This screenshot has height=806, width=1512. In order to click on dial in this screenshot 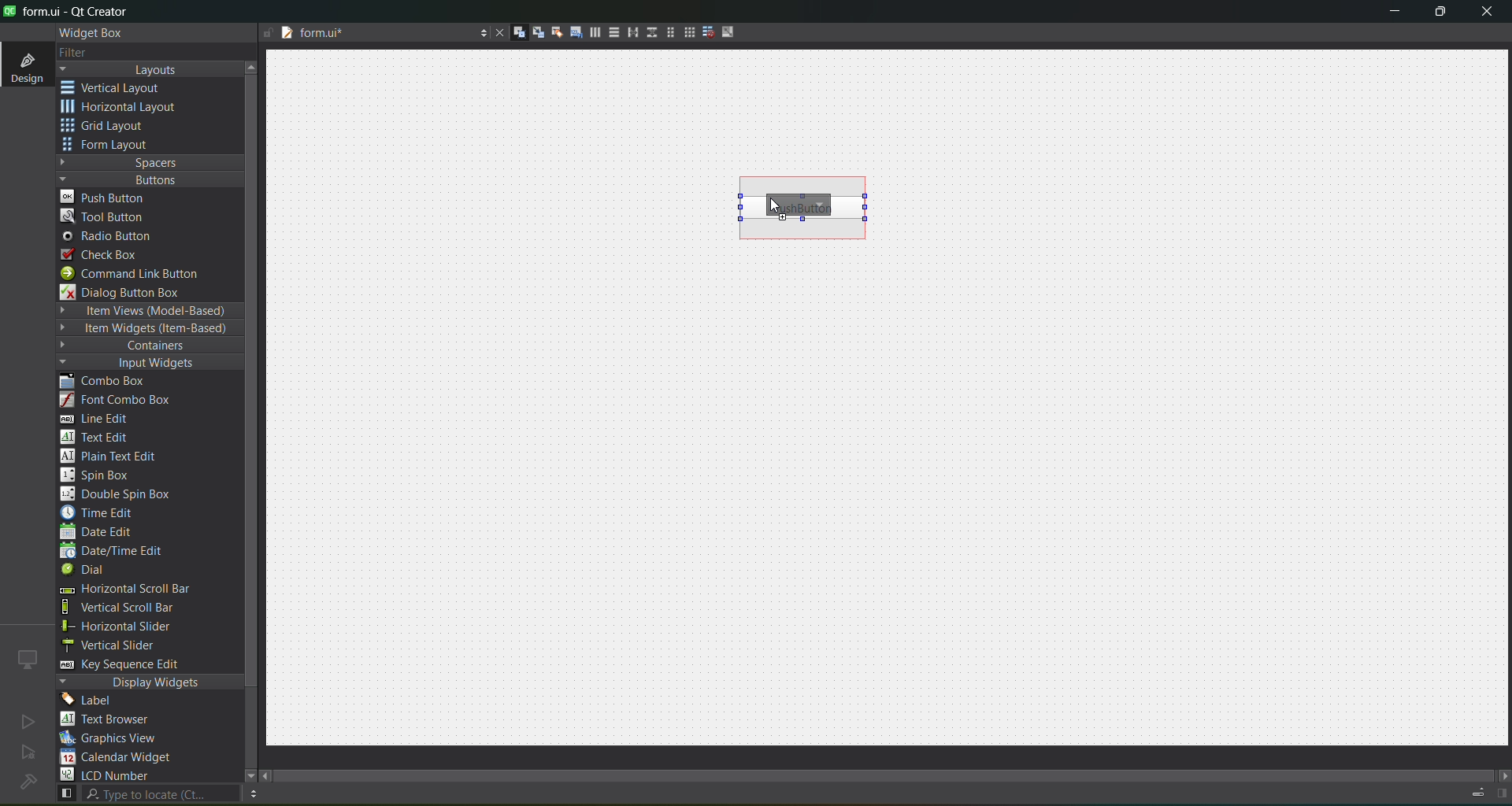, I will do `click(88, 571)`.